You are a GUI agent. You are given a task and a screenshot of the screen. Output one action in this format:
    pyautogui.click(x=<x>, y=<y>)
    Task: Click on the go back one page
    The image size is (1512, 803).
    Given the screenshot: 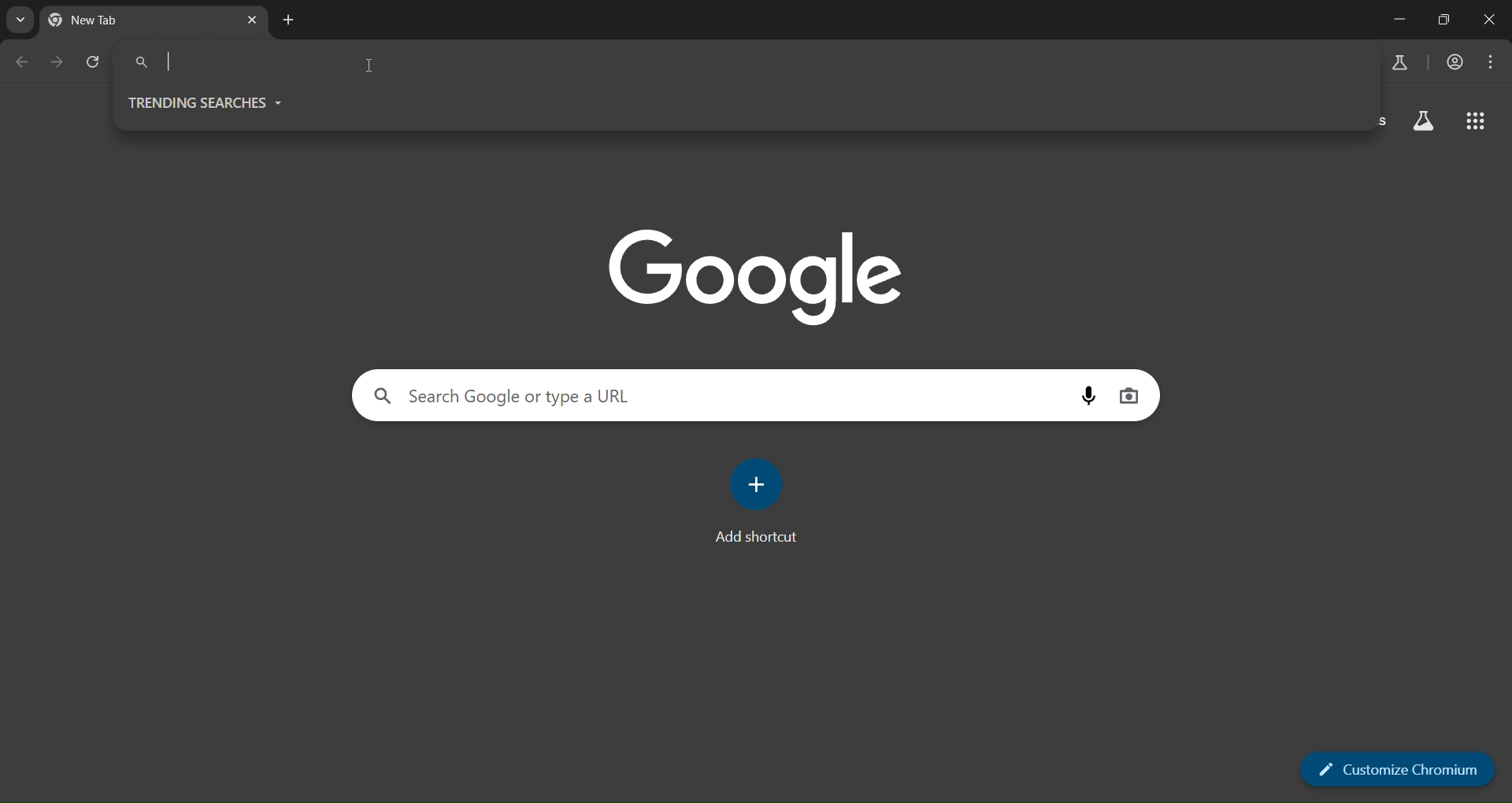 What is the action you would take?
    pyautogui.click(x=24, y=61)
    